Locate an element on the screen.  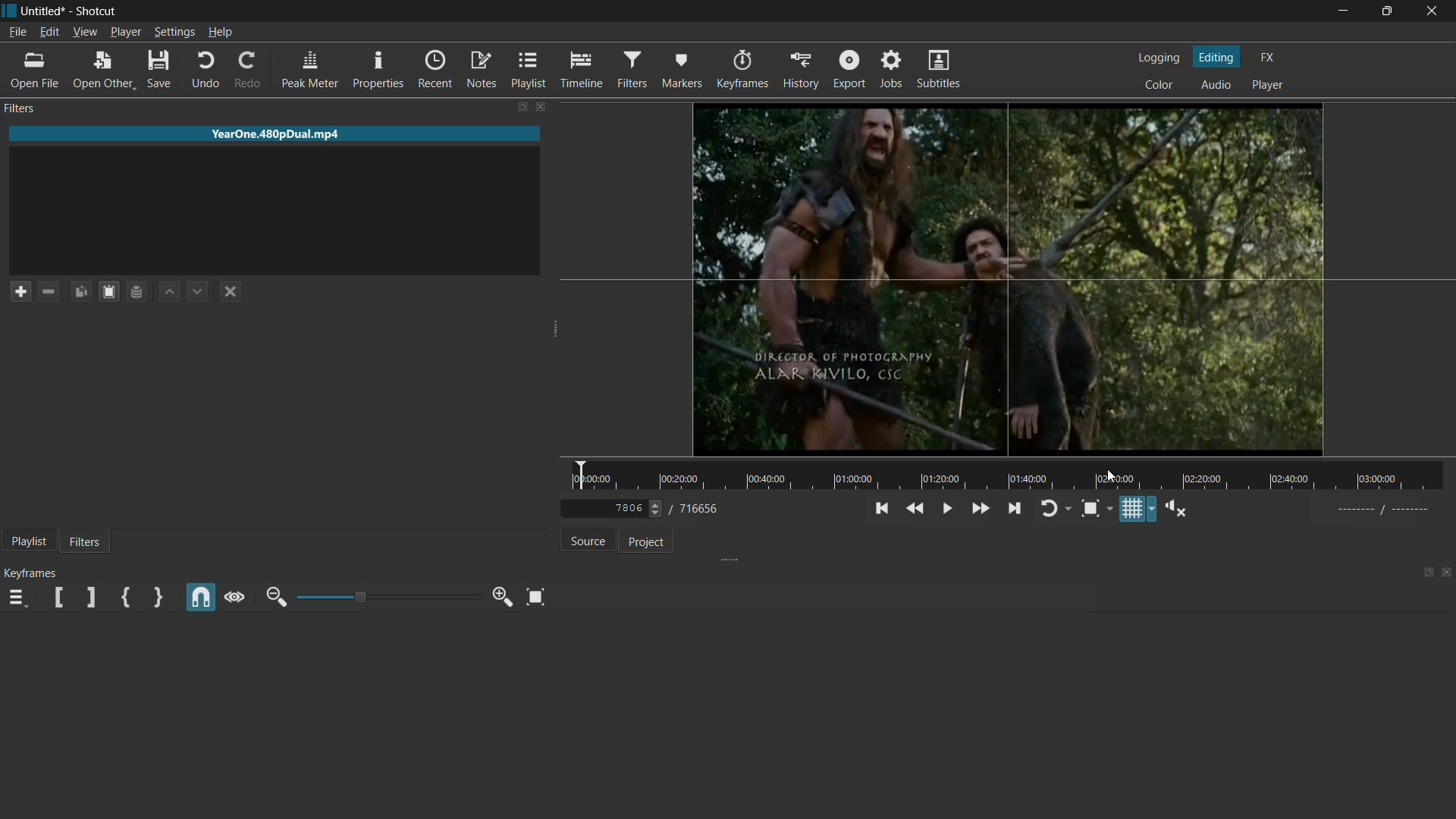
jobs is located at coordinates (890, 70).